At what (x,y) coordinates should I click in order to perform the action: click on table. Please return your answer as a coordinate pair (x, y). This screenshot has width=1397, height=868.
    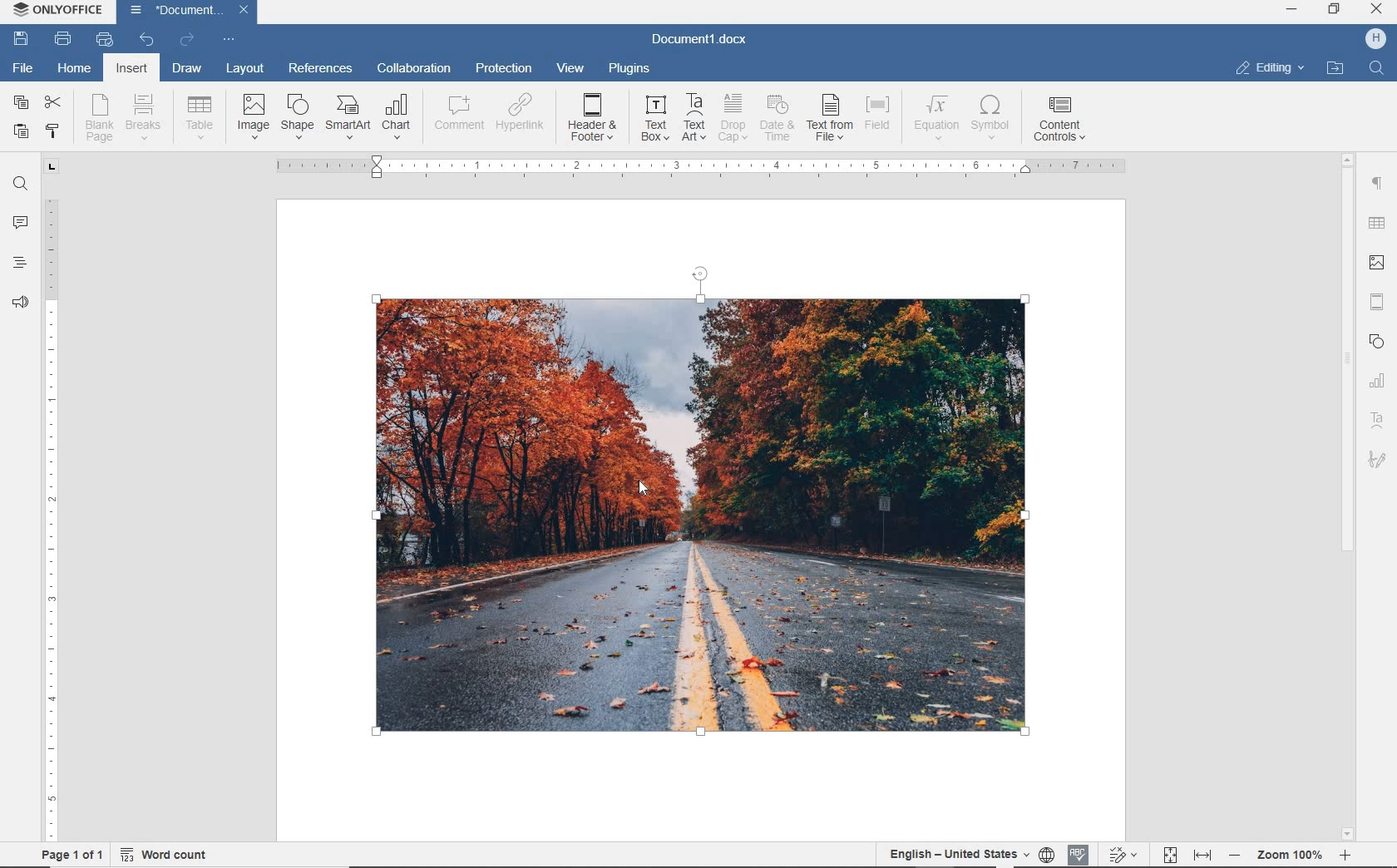
    Looking at the image, I should click on (1380, 221).